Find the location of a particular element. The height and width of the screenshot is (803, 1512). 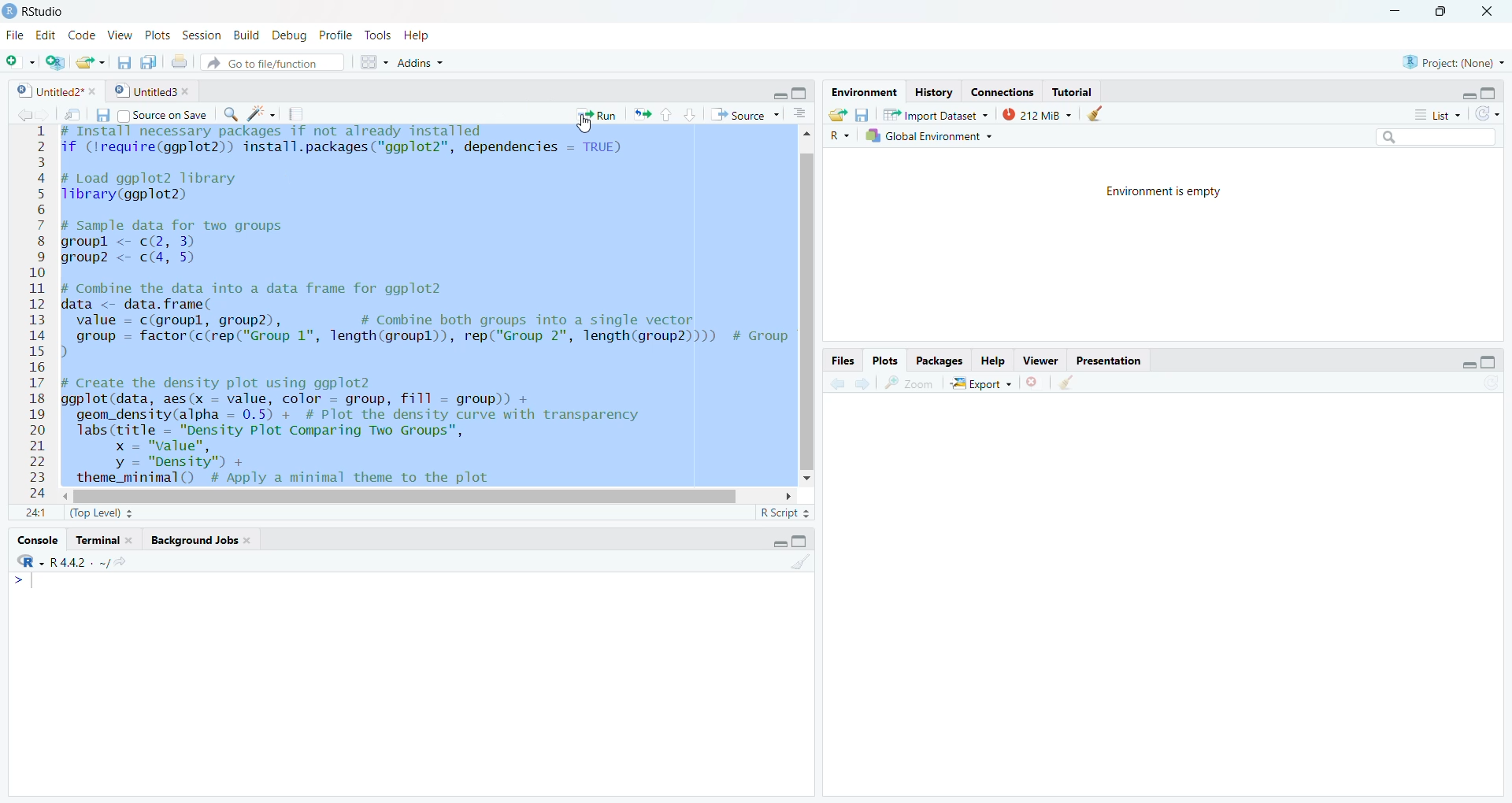

maximize is located at coordinates (806, 542).